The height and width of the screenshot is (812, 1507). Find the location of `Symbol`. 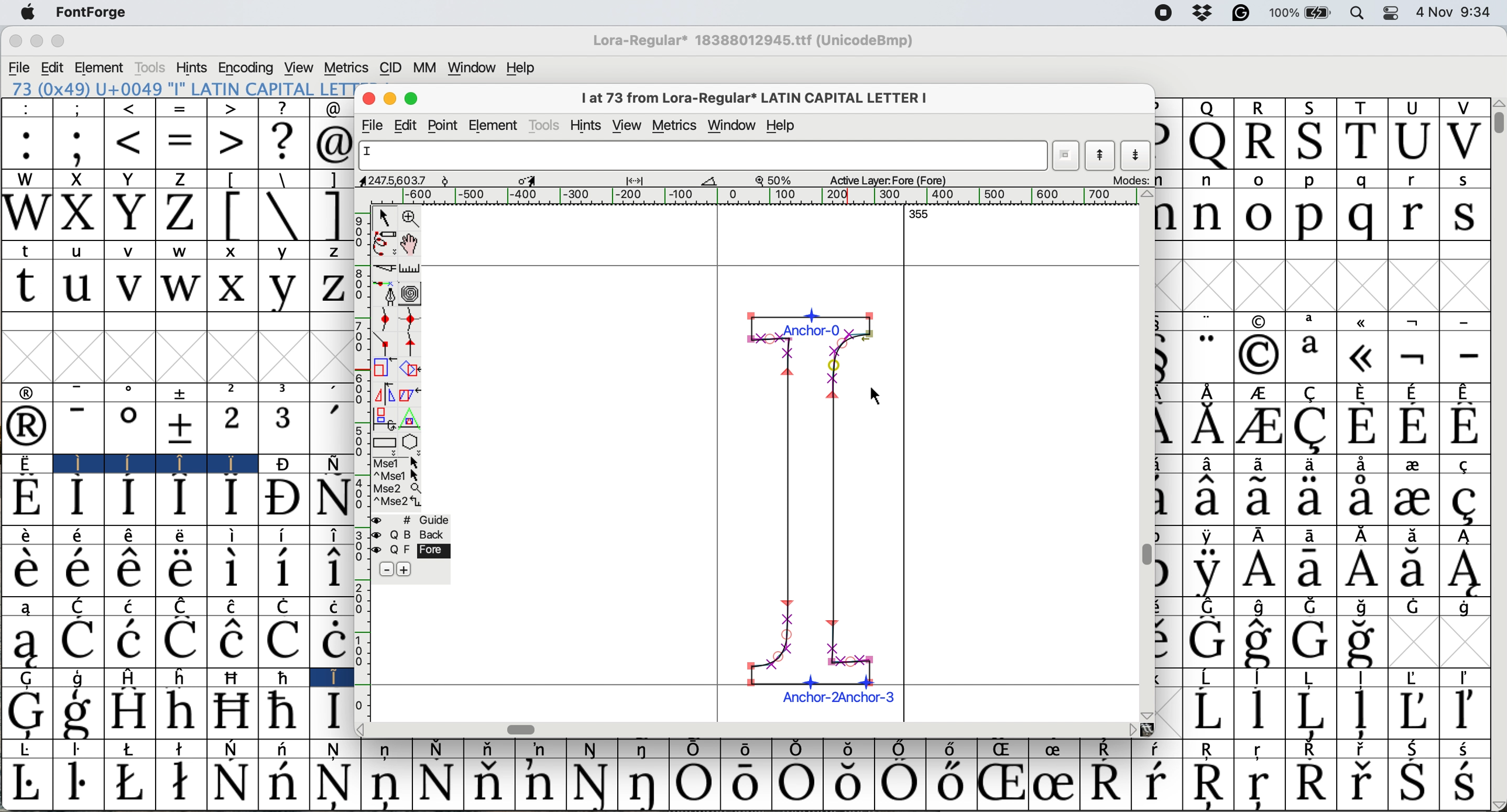

Symbol is located at coordinates (1259, 465).